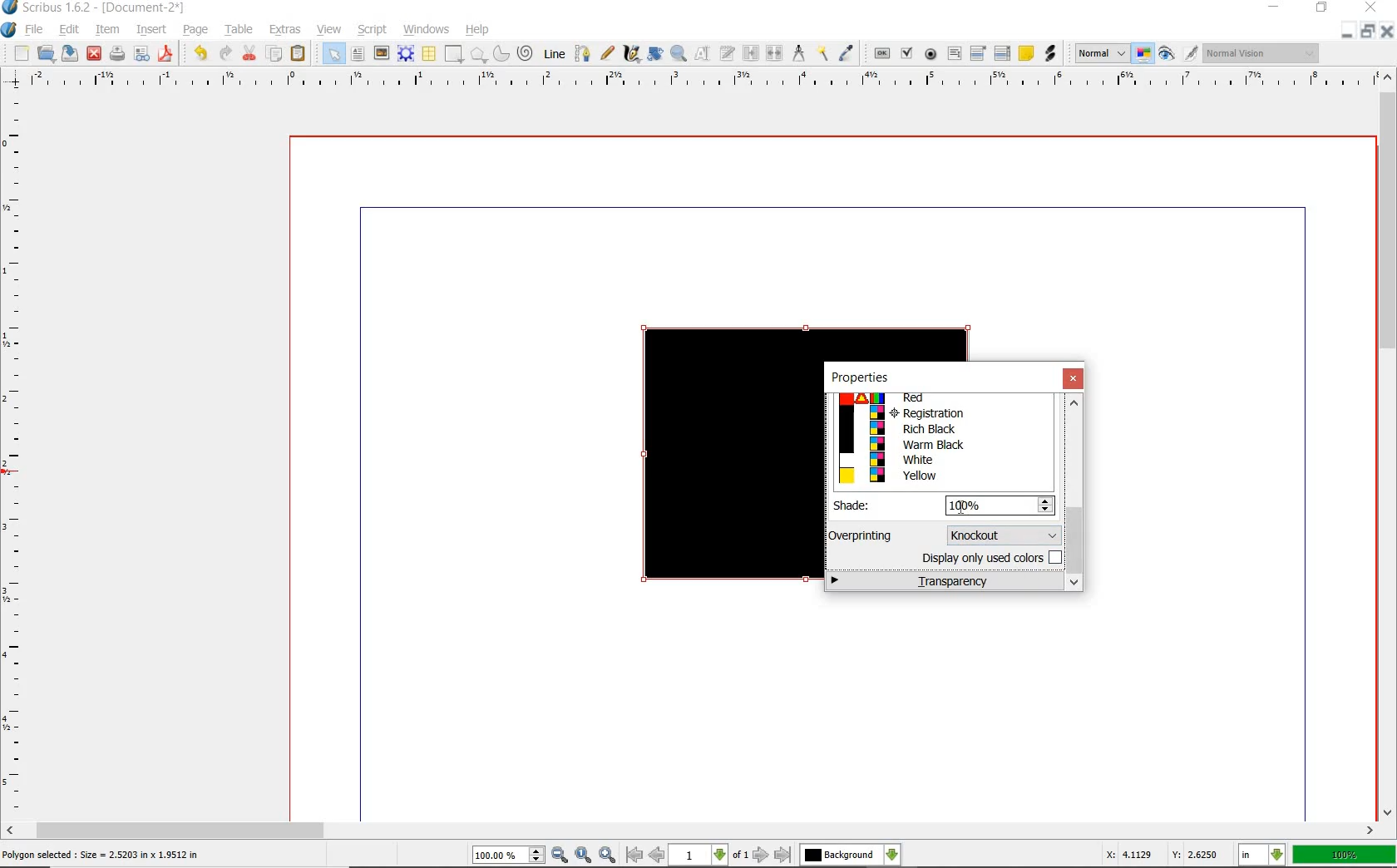 The height and width of the screenshot is (868, 1397). I want to click on undo, so click(200, 55).